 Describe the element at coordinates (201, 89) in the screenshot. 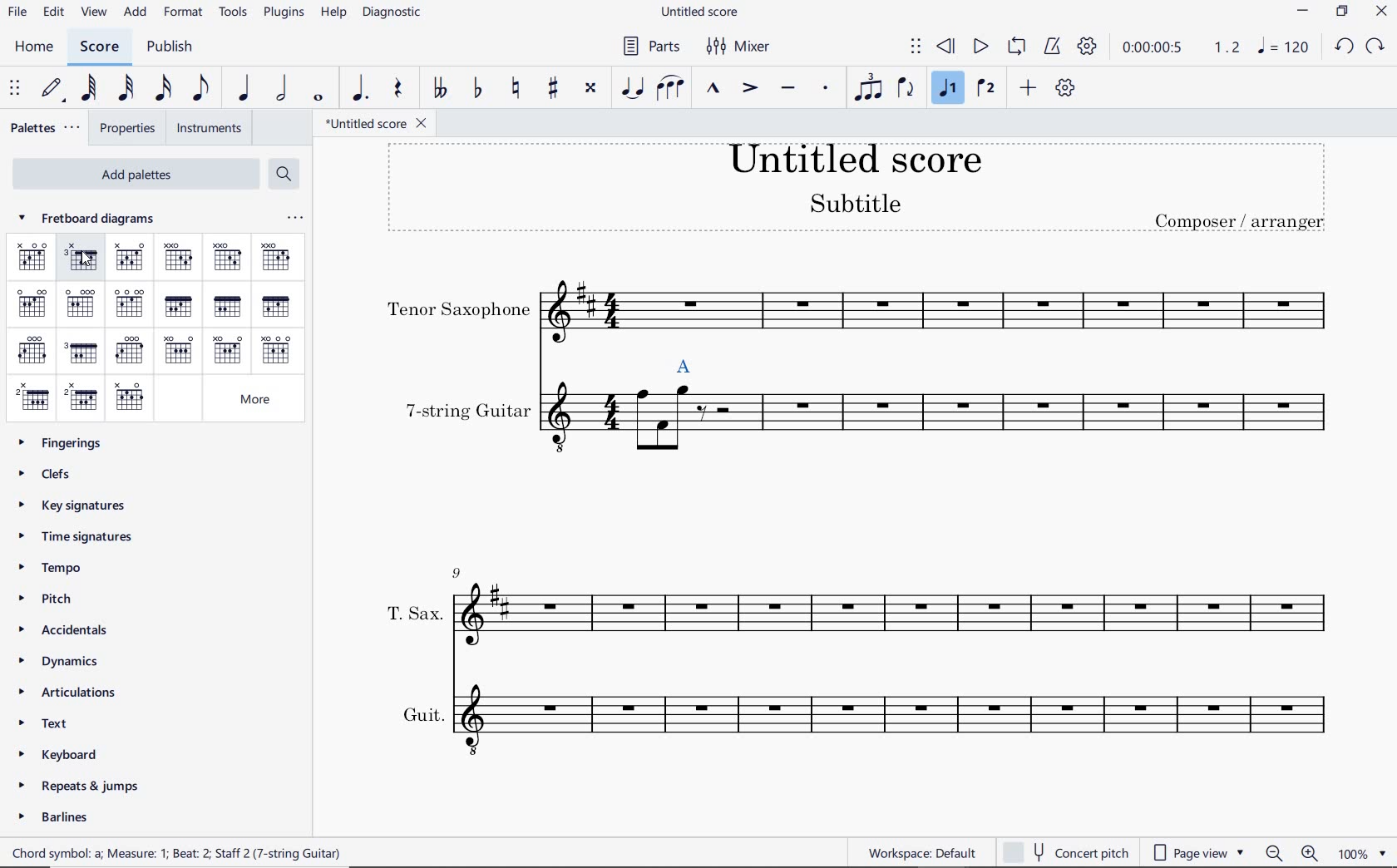

I see `EIGHTH NOTE` at that location.